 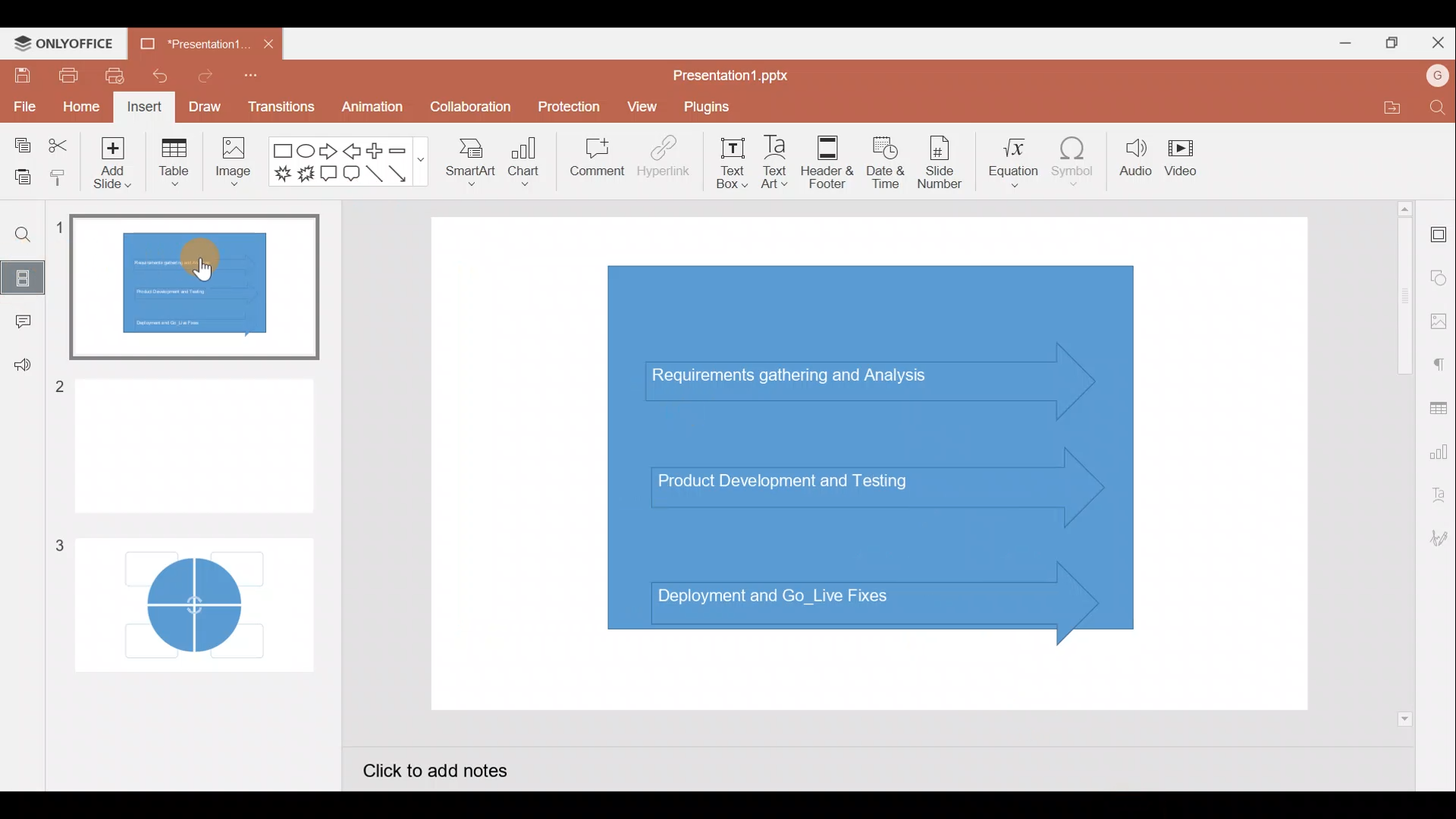 I want to click on Header & footer, so click(x=831, y=162).